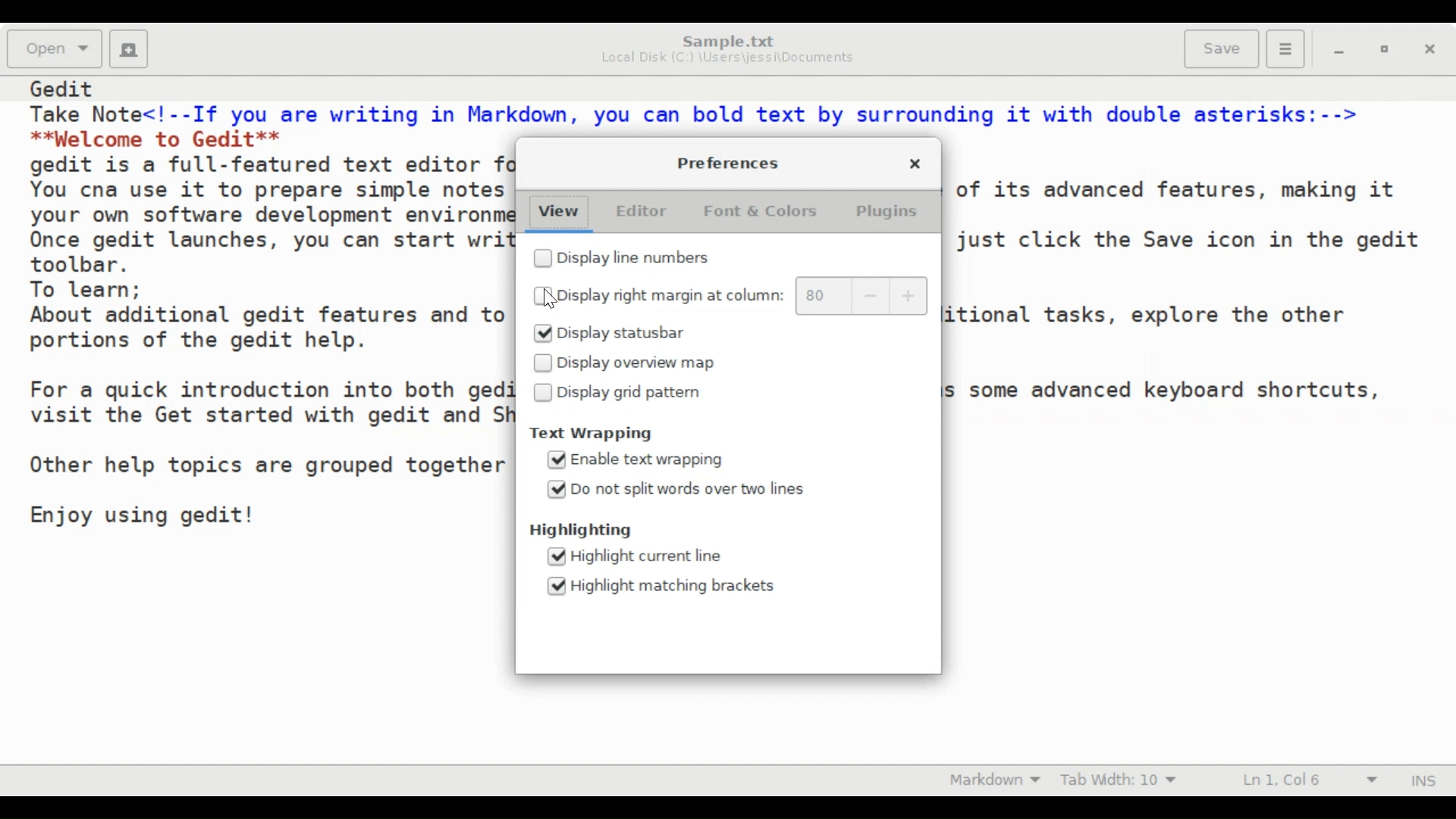 This screenshot has height=819, width=1456. What do you see at coordinates (635, 460) in the screenshot?
I see `(un)select Enable text wrapping` at bounding box center [635, 460].